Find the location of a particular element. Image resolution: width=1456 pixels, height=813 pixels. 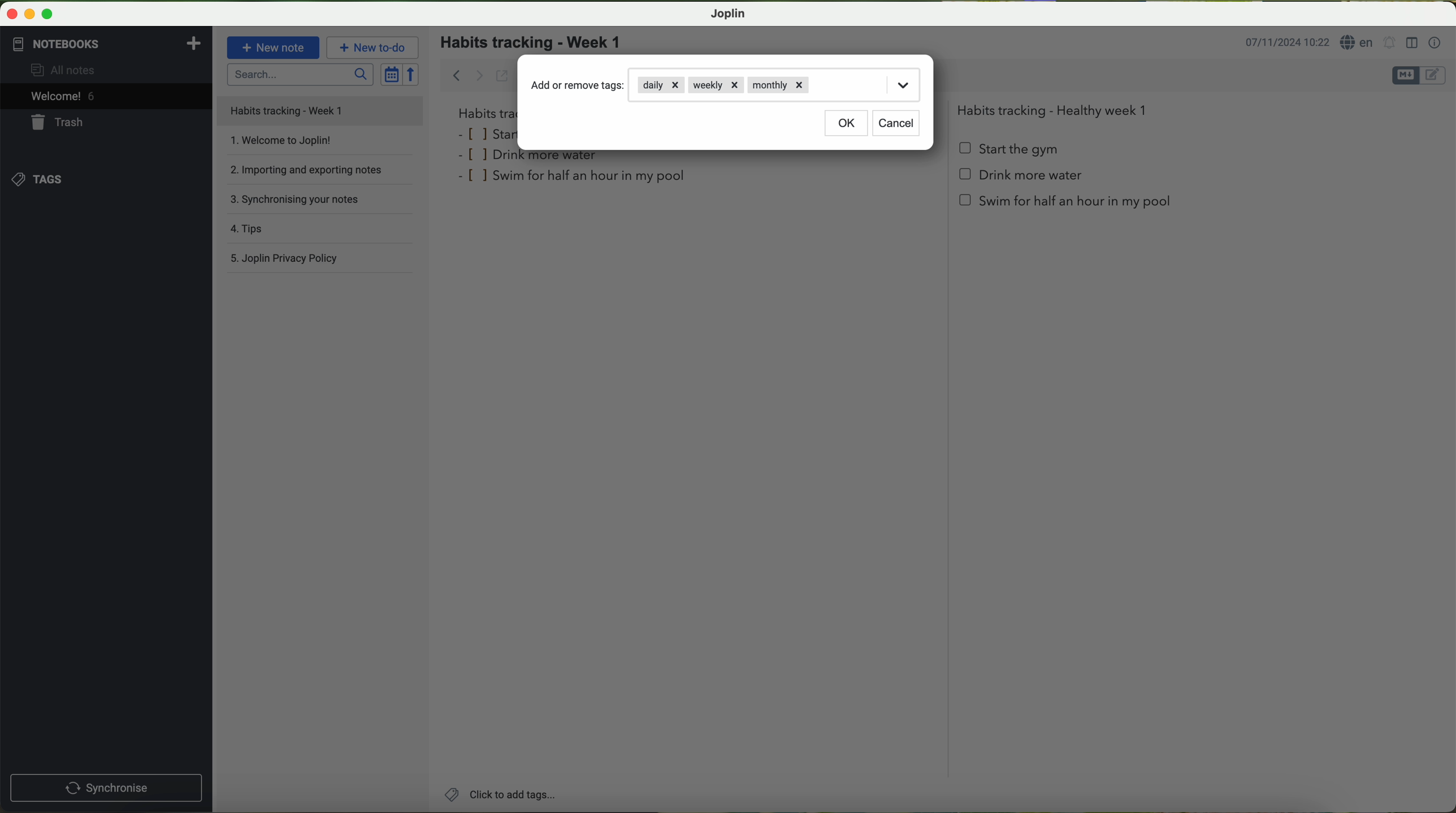

trash is located at coordinates (59, 122).